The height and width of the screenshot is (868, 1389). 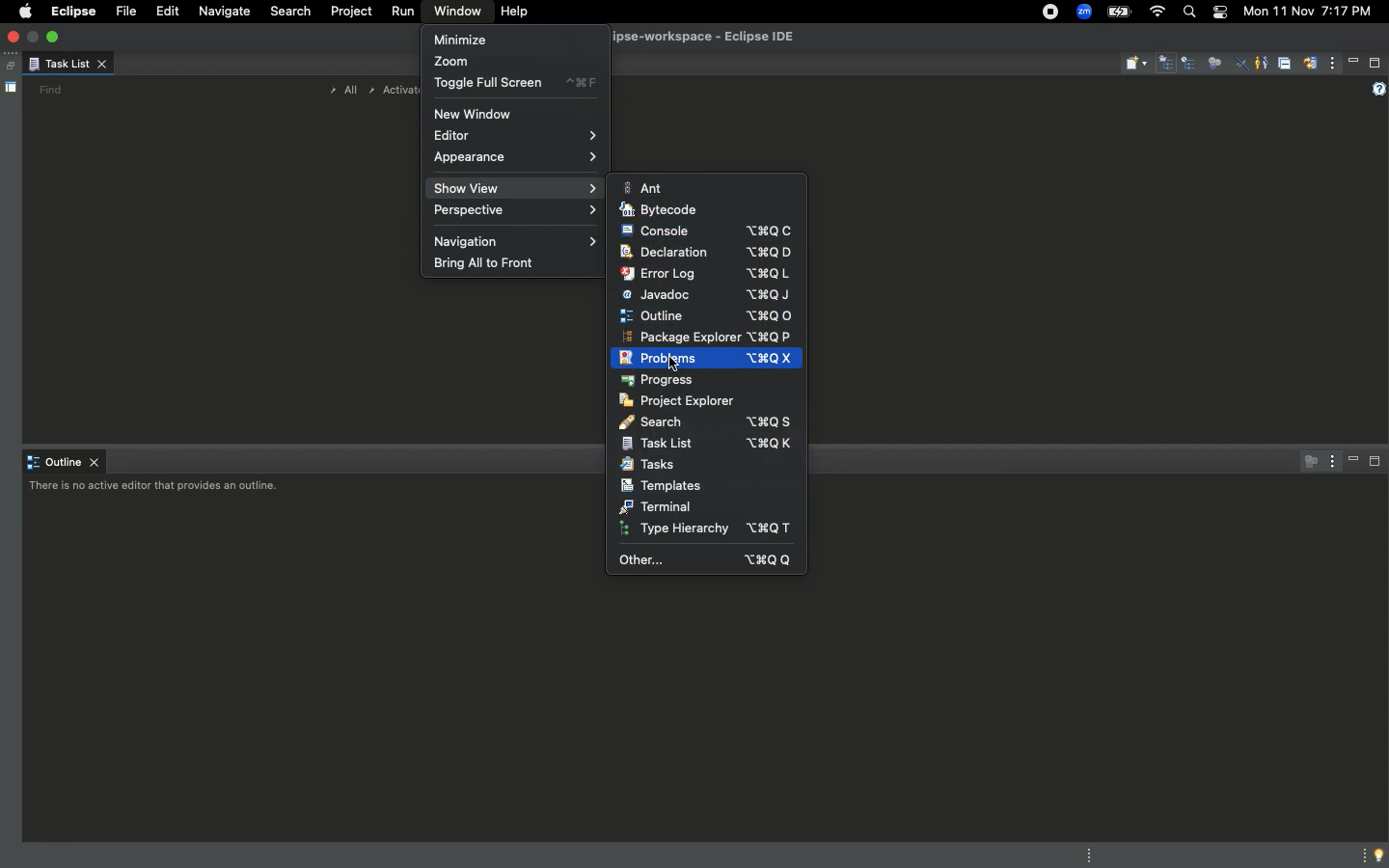 What do you see at coordinates (1354, 62) in the screenshot?
I see `Minimize` at bounding box center [1354, 62].